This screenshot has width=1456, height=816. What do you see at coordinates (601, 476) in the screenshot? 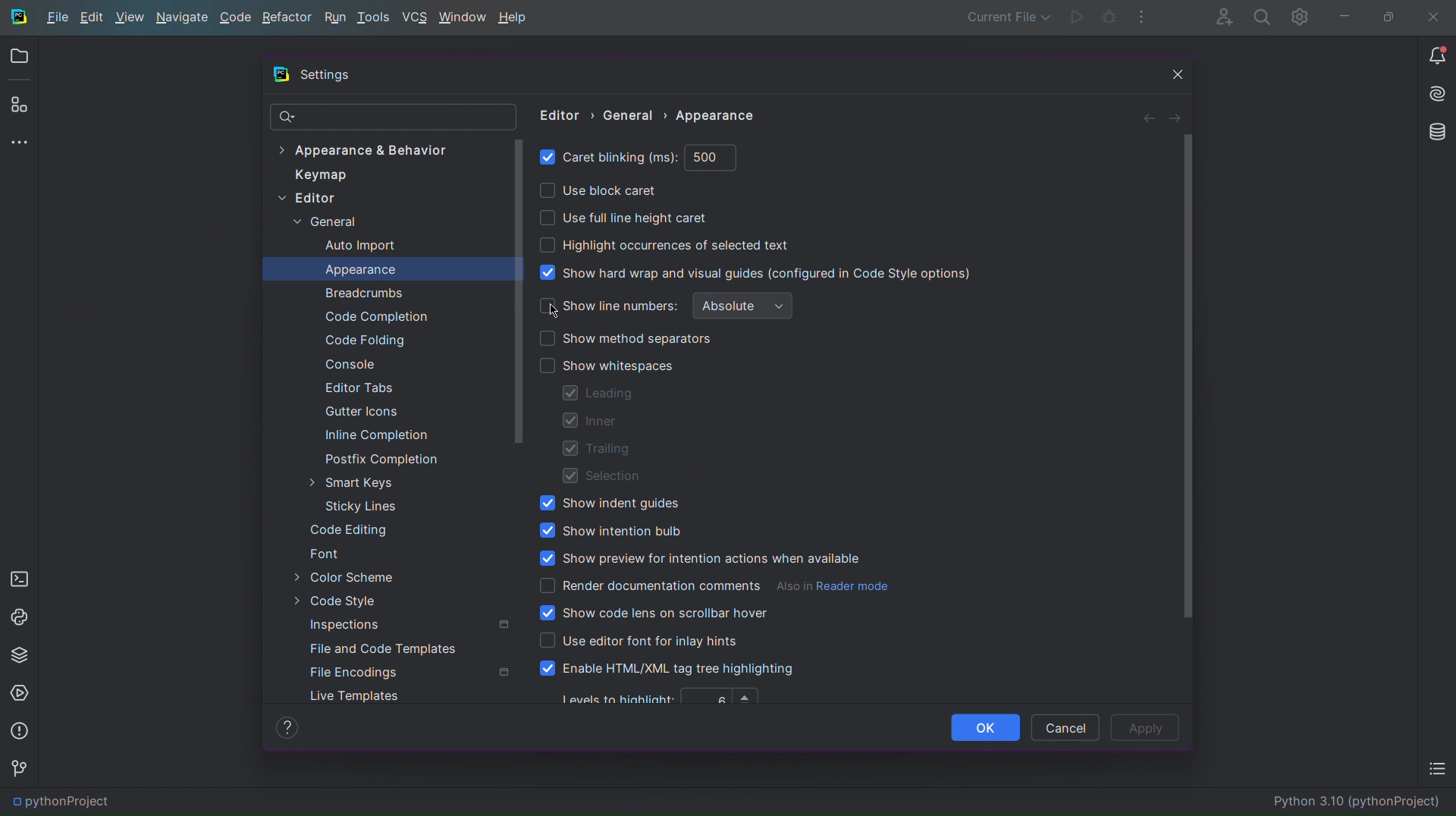
I see `Selection` at bounding box center [601, 476].